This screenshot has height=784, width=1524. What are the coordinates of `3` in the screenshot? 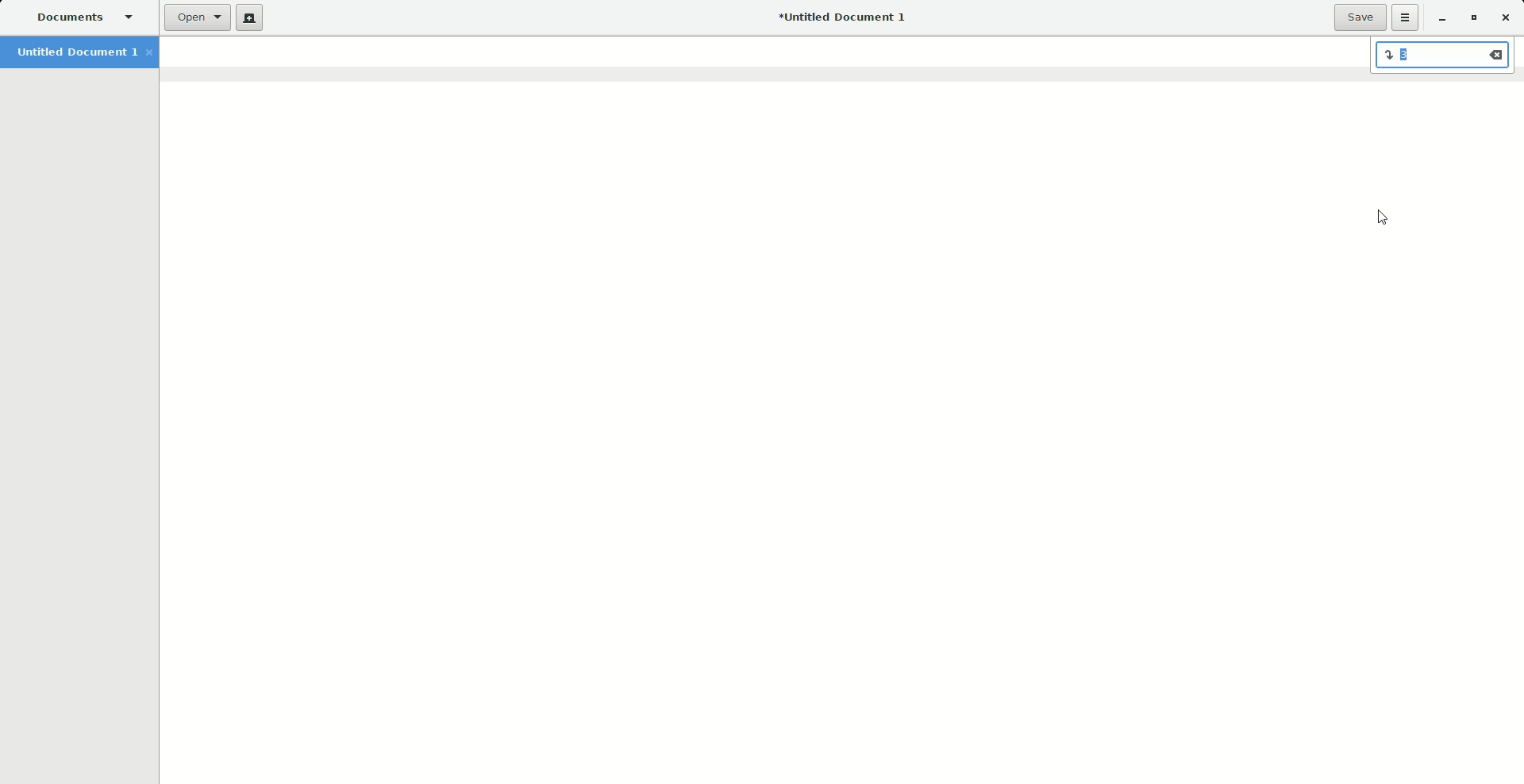 It's located at (1443, 56).